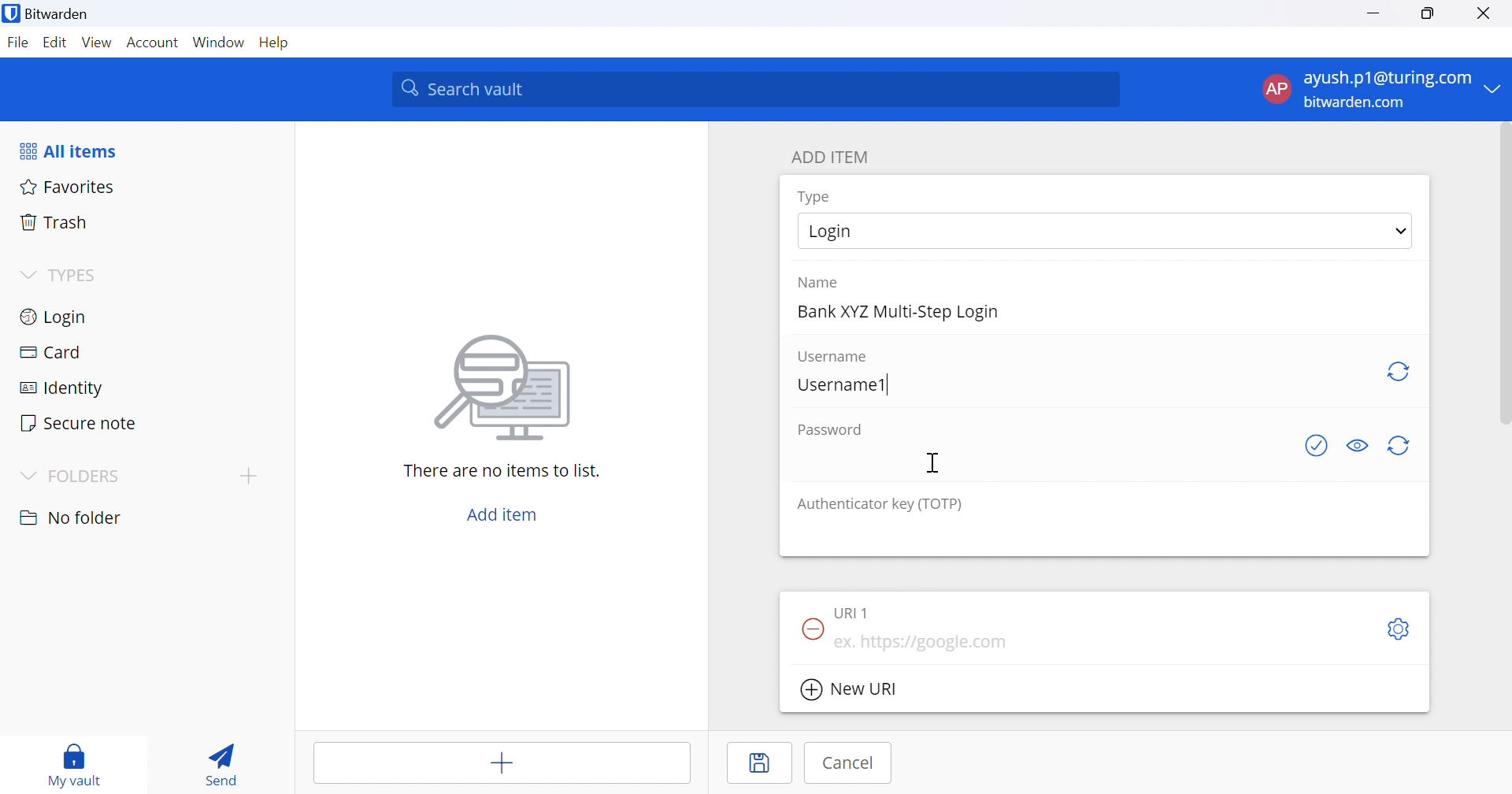 The image size is (1512, 794). What do you see at coordinates (851, 231) in the screenshot?
I see `Login ` at bounding box center [851, 231].